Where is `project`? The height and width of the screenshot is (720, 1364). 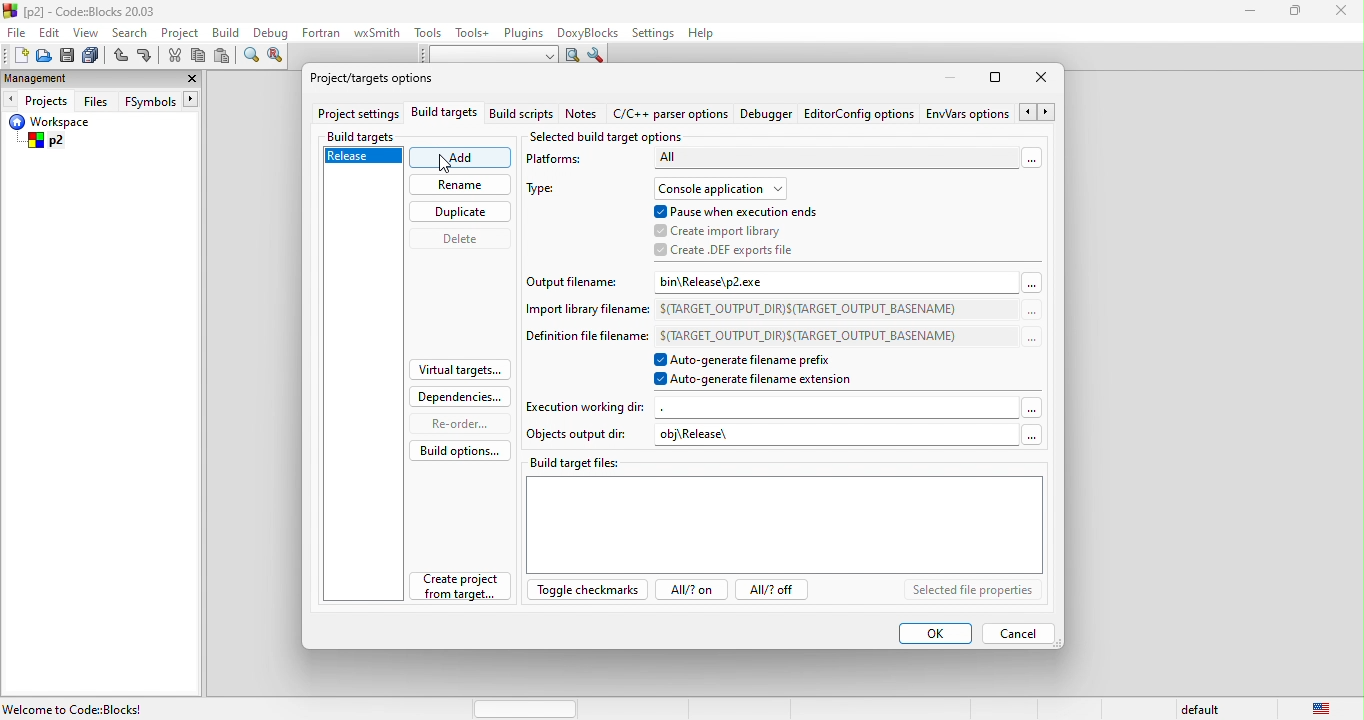 project is located at coordinates (182, 33).